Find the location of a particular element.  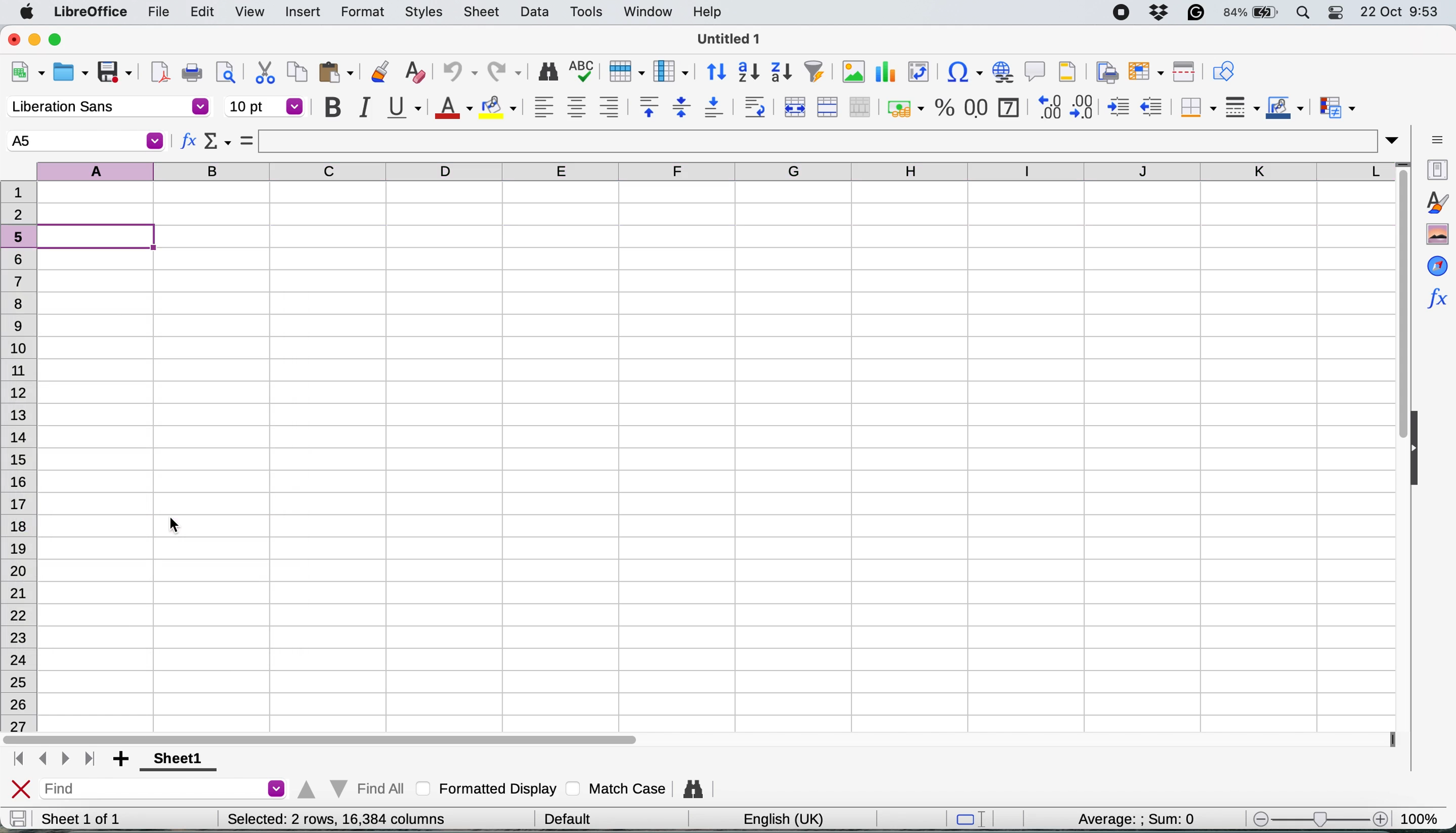

sort is located at coordinates (717, 70).